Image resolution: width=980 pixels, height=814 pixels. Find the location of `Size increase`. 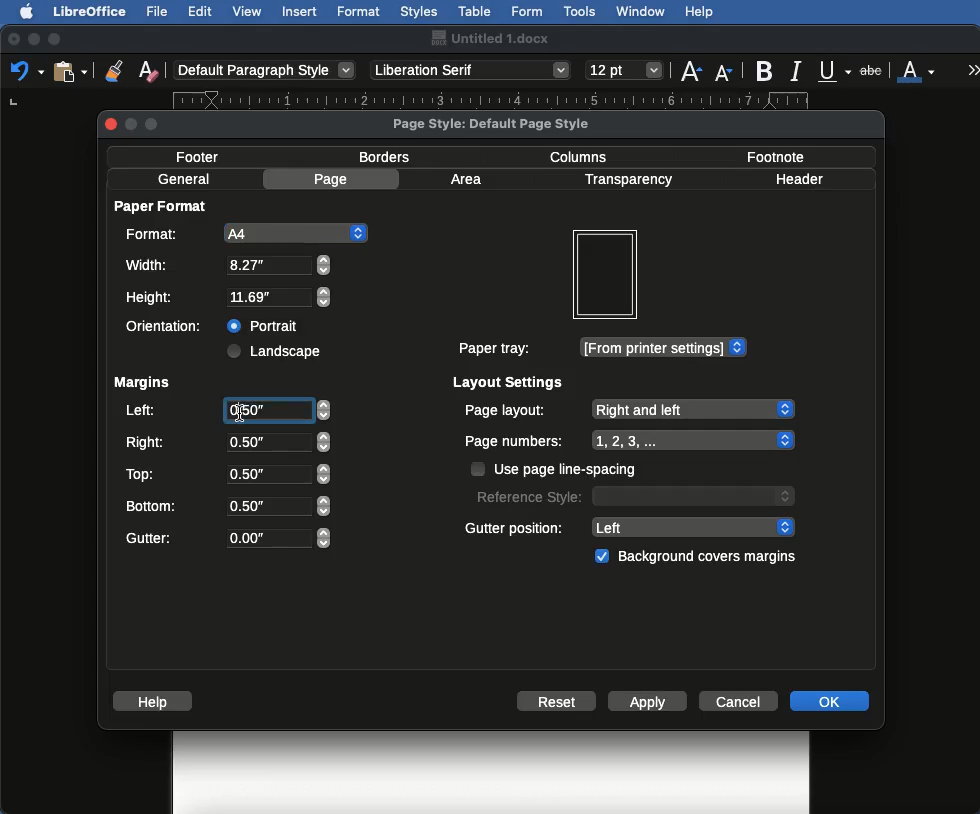

Size increase is located at coordinates (690, 69).